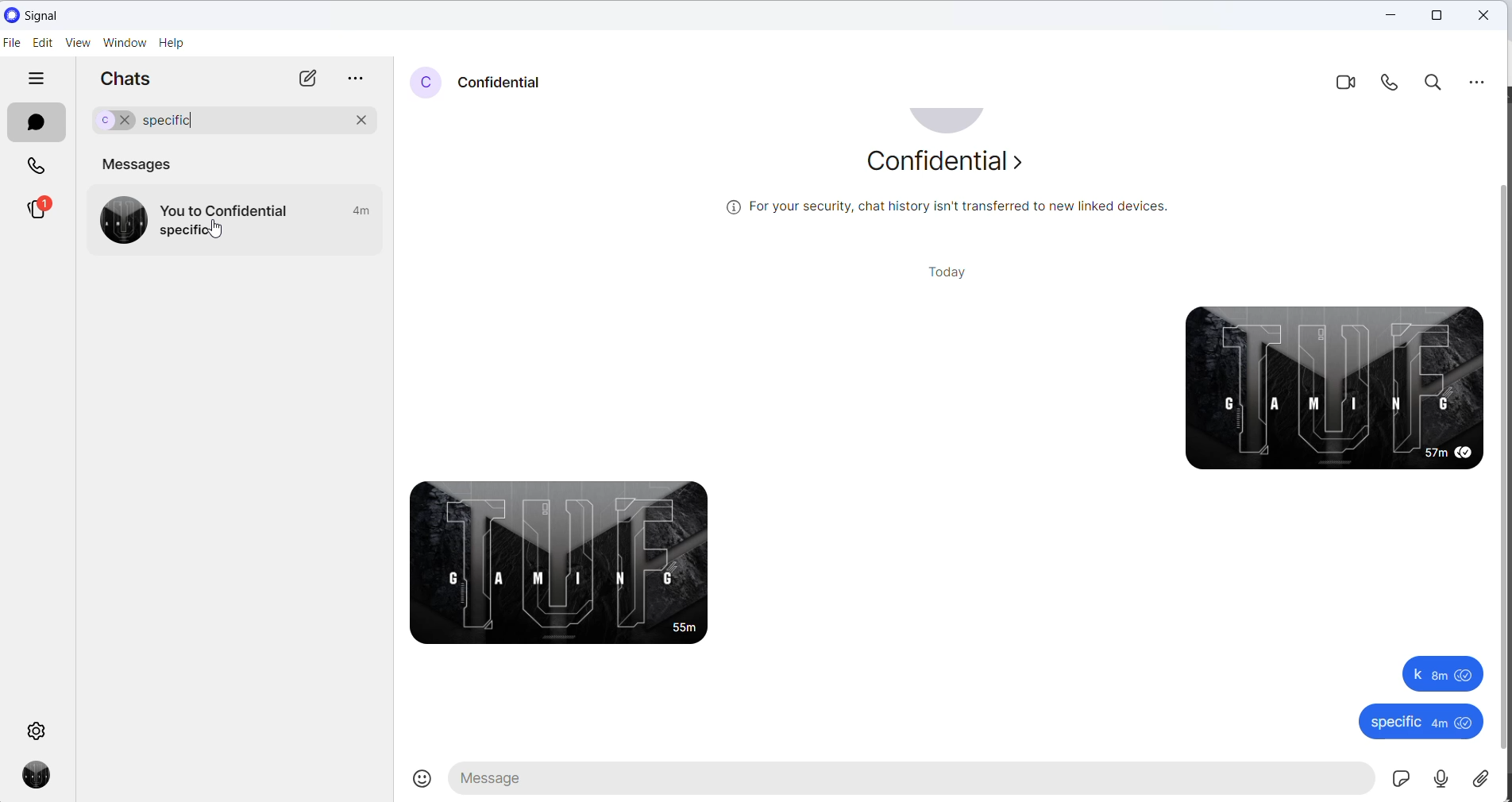  I want to click on selected chat for search, so click(108, 121).